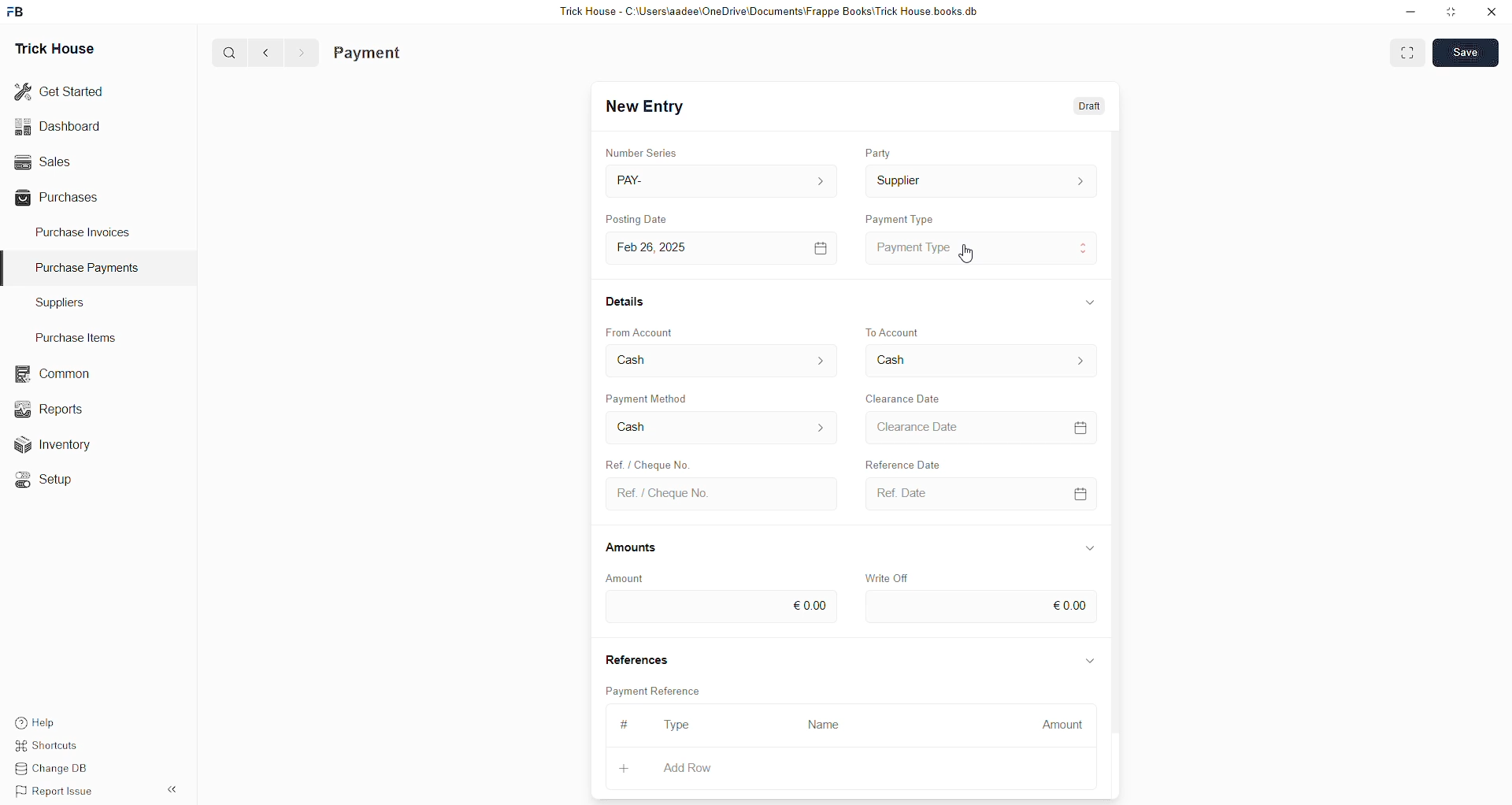  I want to click on Payment Type, so click(900, 217).